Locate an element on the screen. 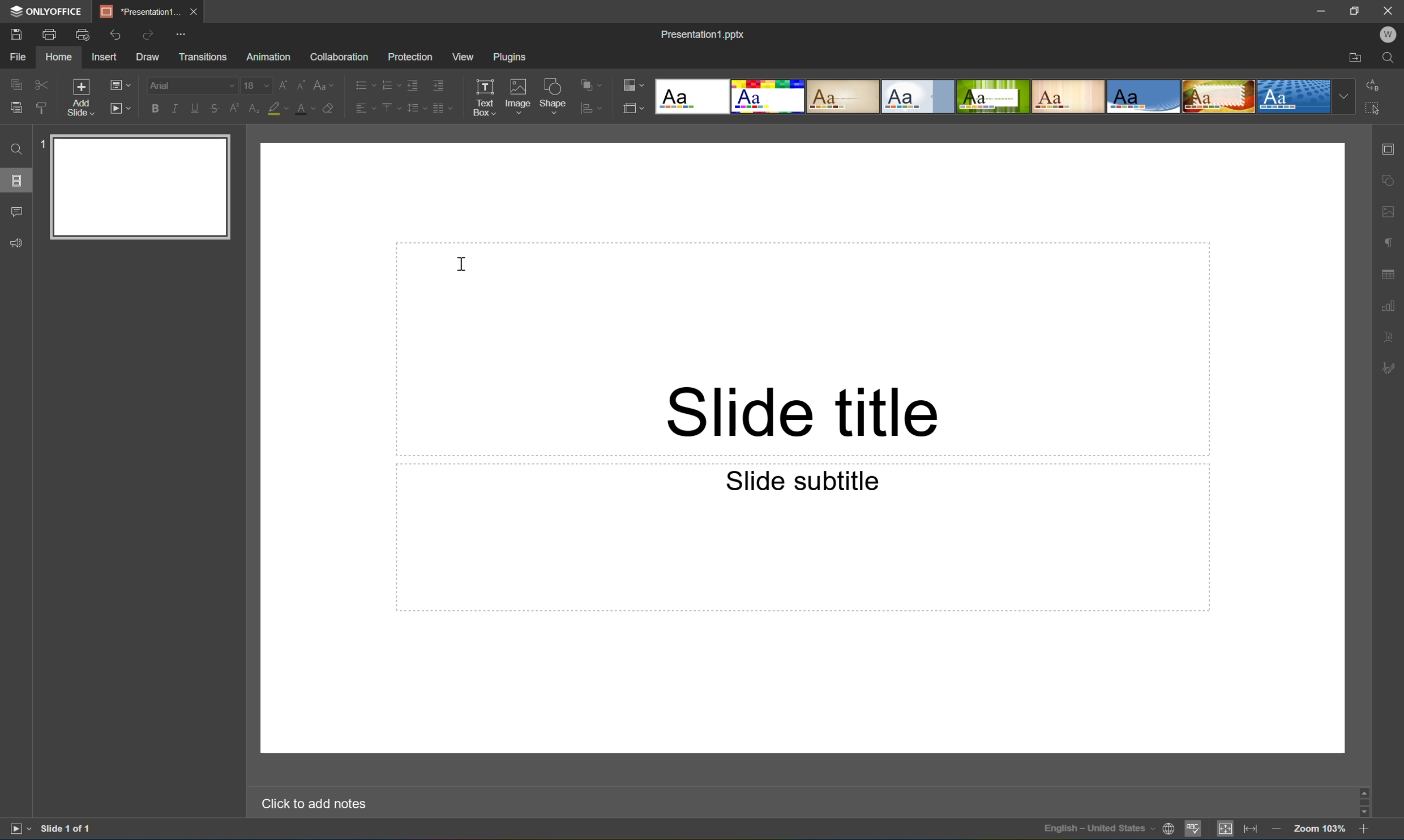 The image size is (1404, 840). Set document language is located at coordinates (1167, 830).